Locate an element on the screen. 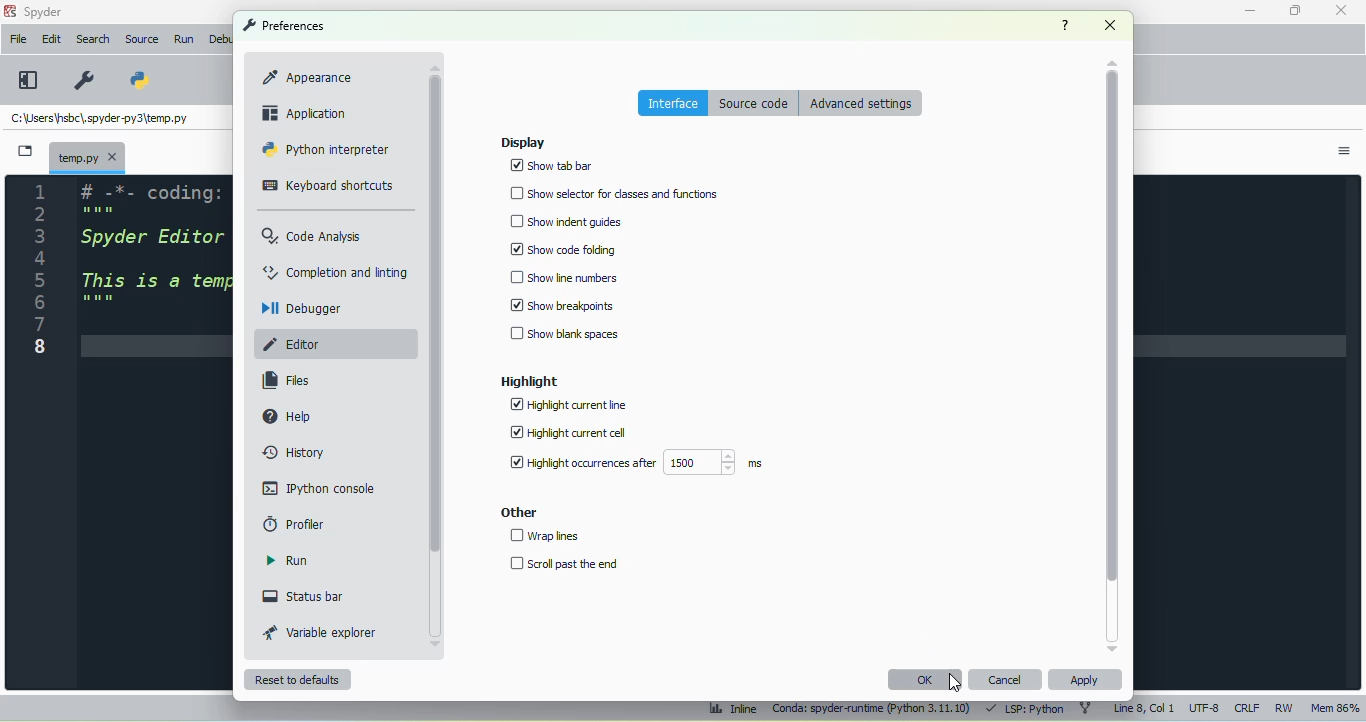 The width and height of the screenshot is (1366, 722). history is located at coordinates (296, 452).